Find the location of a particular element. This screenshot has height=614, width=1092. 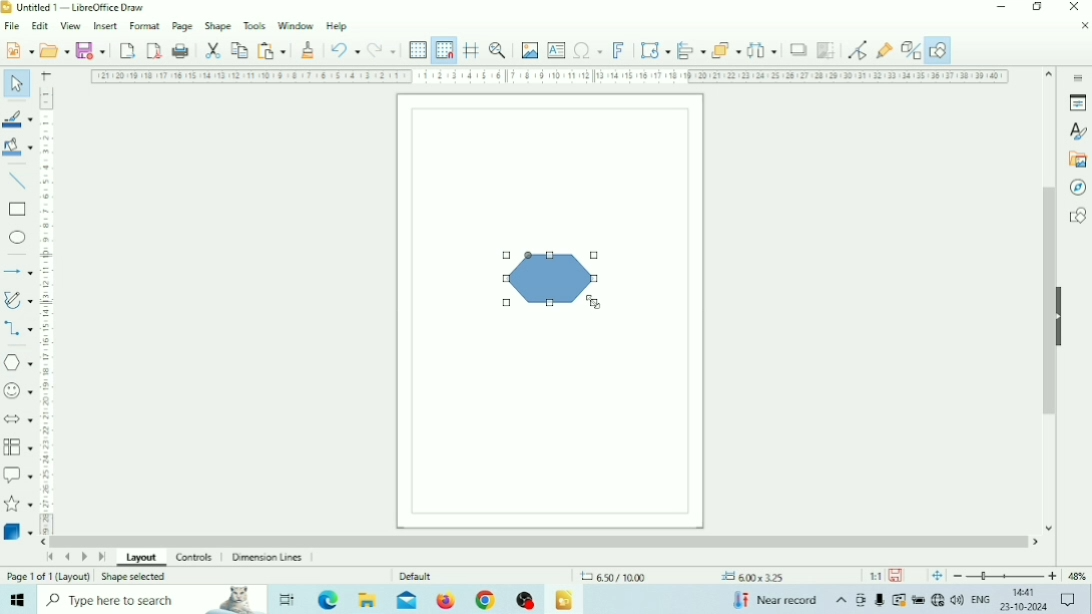

Dimension Lines is located at coordinates (270, 558).